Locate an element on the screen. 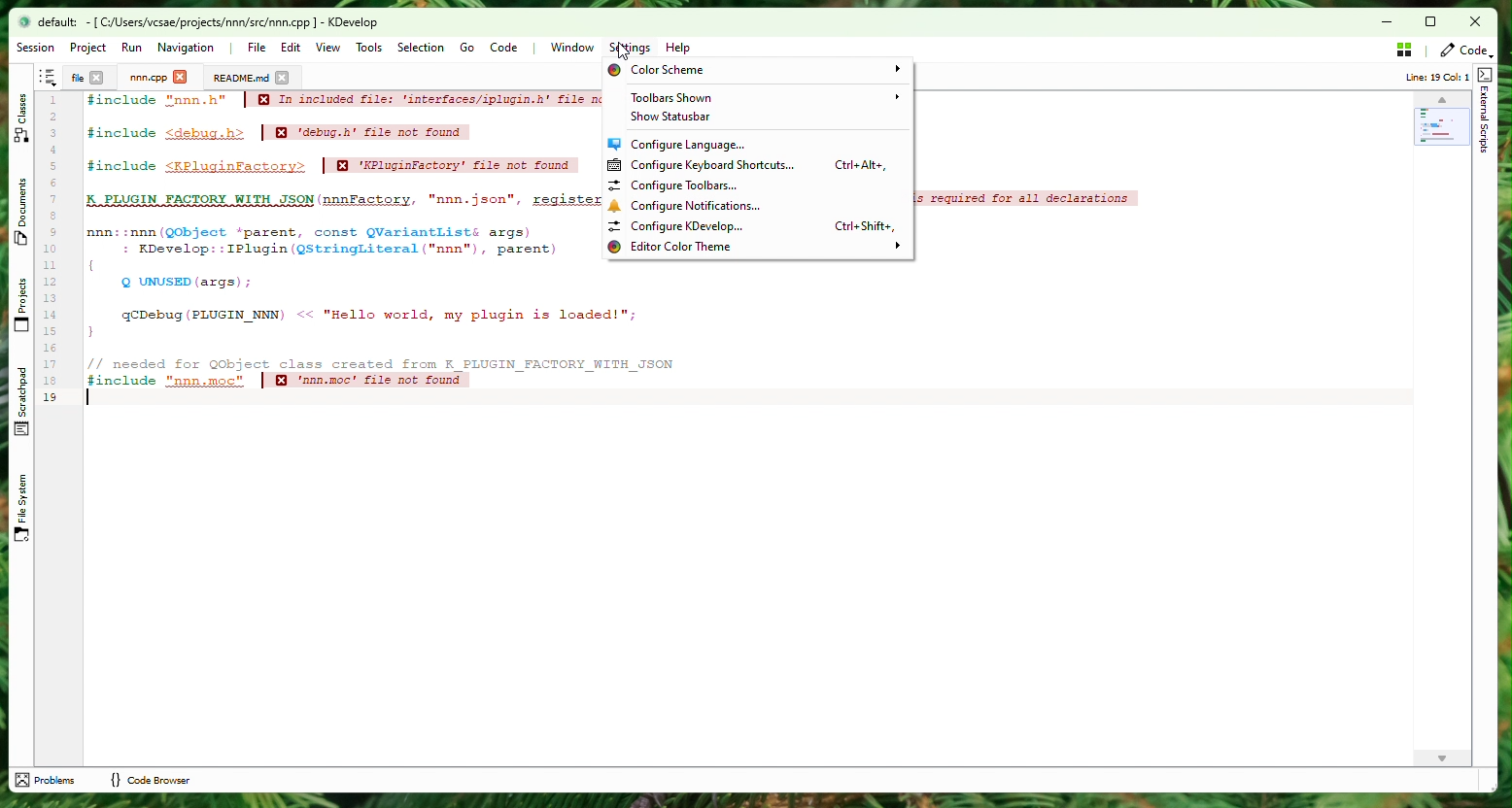 This screenshot has width=1512, height=808. 8 is located at coordinates (52, 216).